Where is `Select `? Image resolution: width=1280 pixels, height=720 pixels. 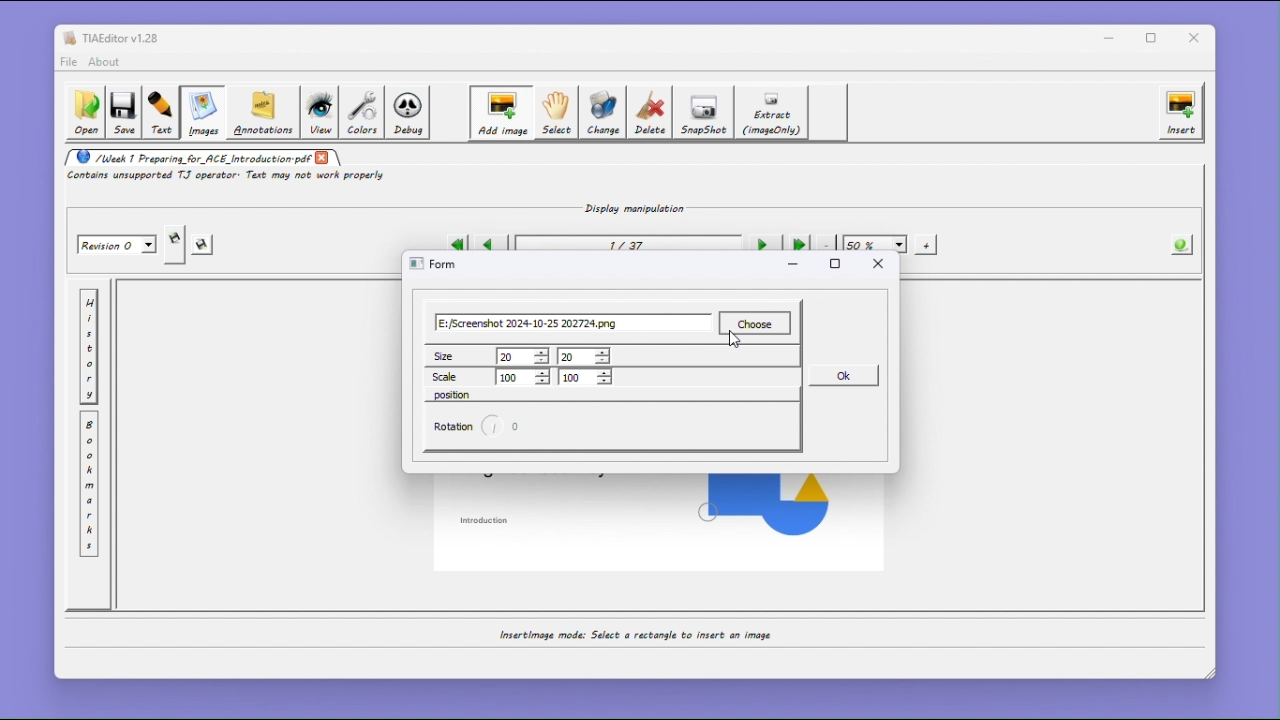 Select  is located at coordinates (555, 113).